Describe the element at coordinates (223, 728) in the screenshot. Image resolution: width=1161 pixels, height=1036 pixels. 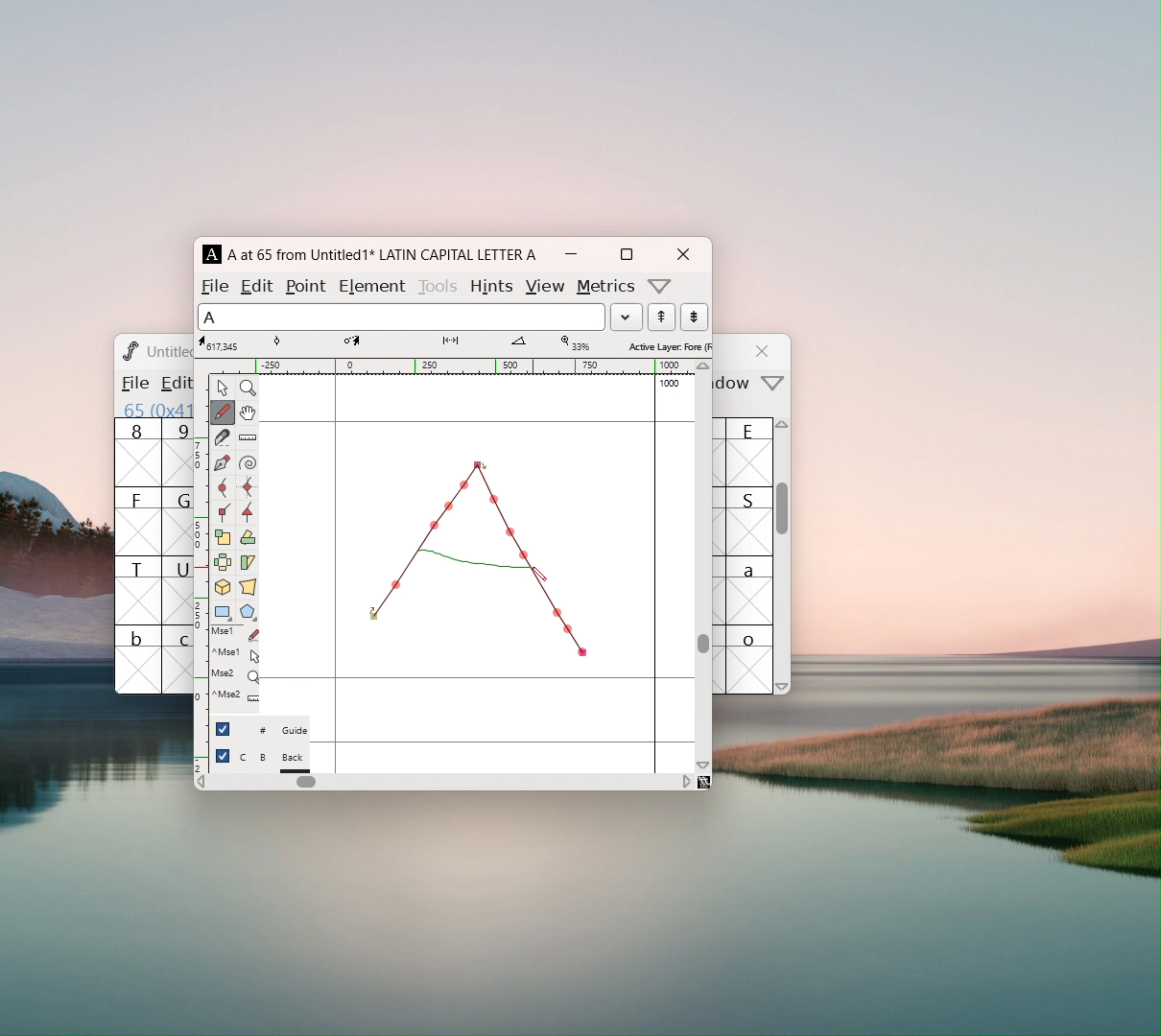
I see `checkbox` at that location.